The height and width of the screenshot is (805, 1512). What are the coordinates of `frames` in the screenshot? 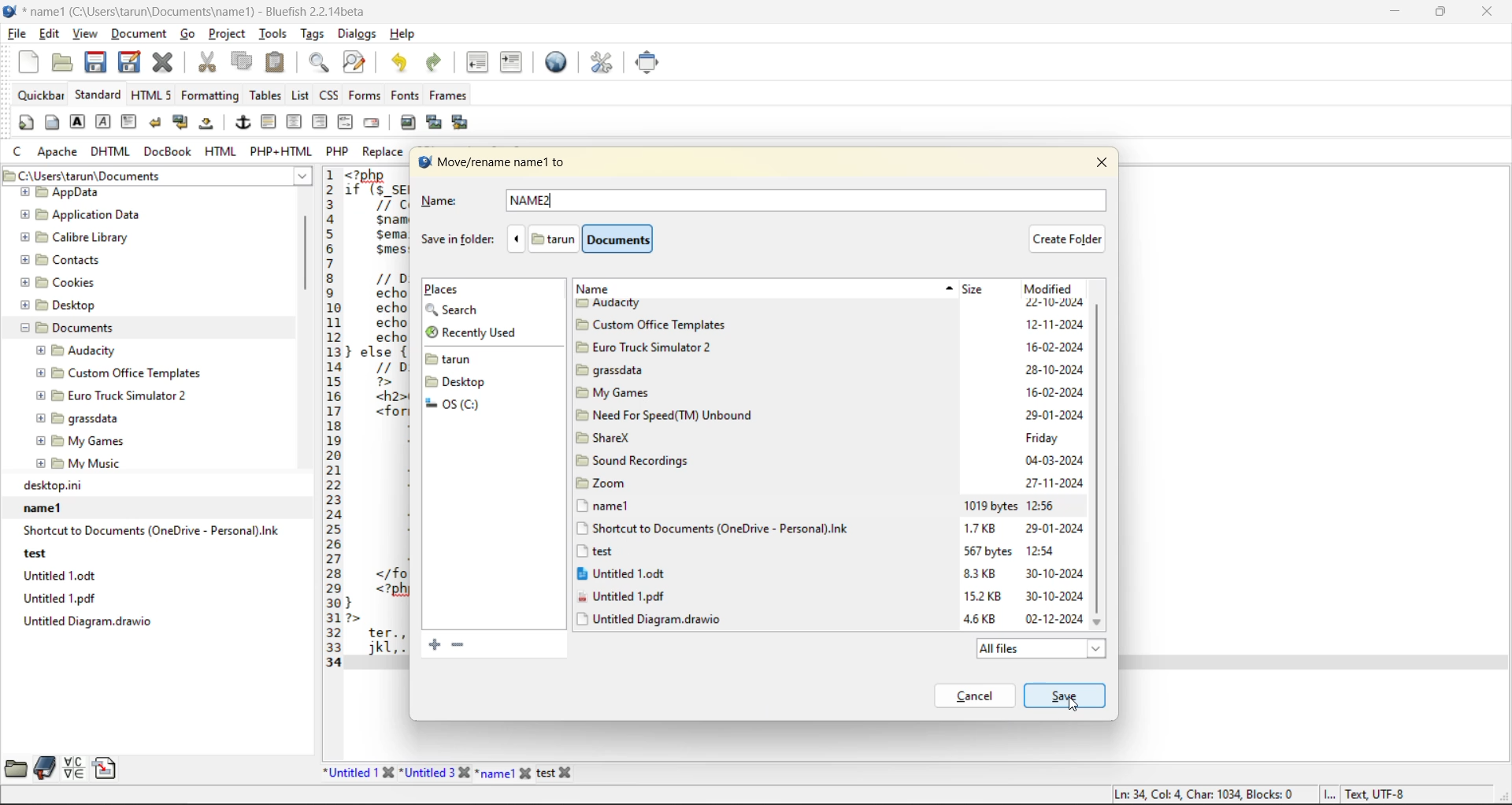 It's located at (450, 95).